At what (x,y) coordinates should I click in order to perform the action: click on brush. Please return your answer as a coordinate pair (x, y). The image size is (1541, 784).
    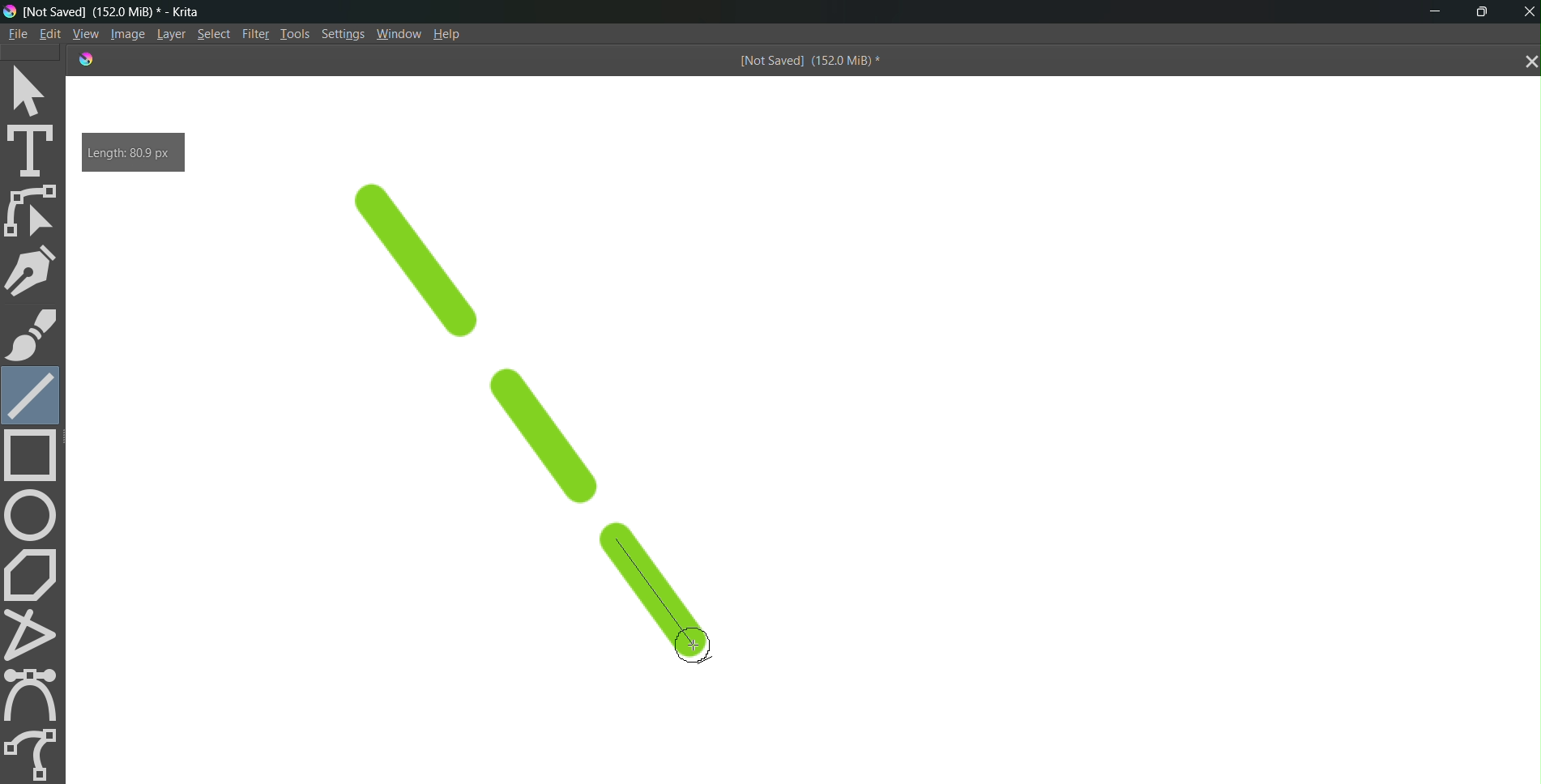
    Looking at the image, I should click on (32, 334).